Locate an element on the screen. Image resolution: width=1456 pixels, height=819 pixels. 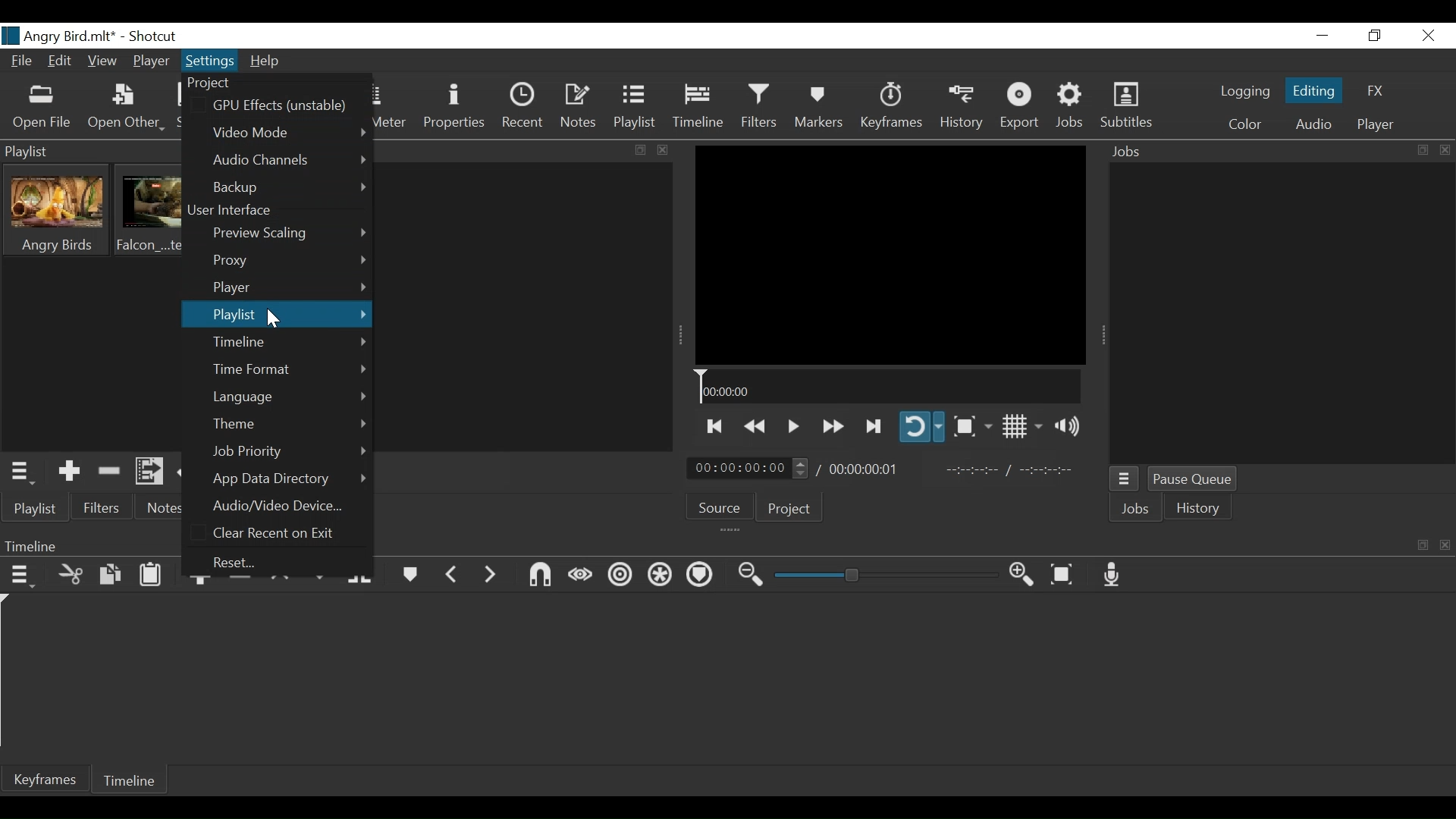
Filters is located at coordinates (104, 508).